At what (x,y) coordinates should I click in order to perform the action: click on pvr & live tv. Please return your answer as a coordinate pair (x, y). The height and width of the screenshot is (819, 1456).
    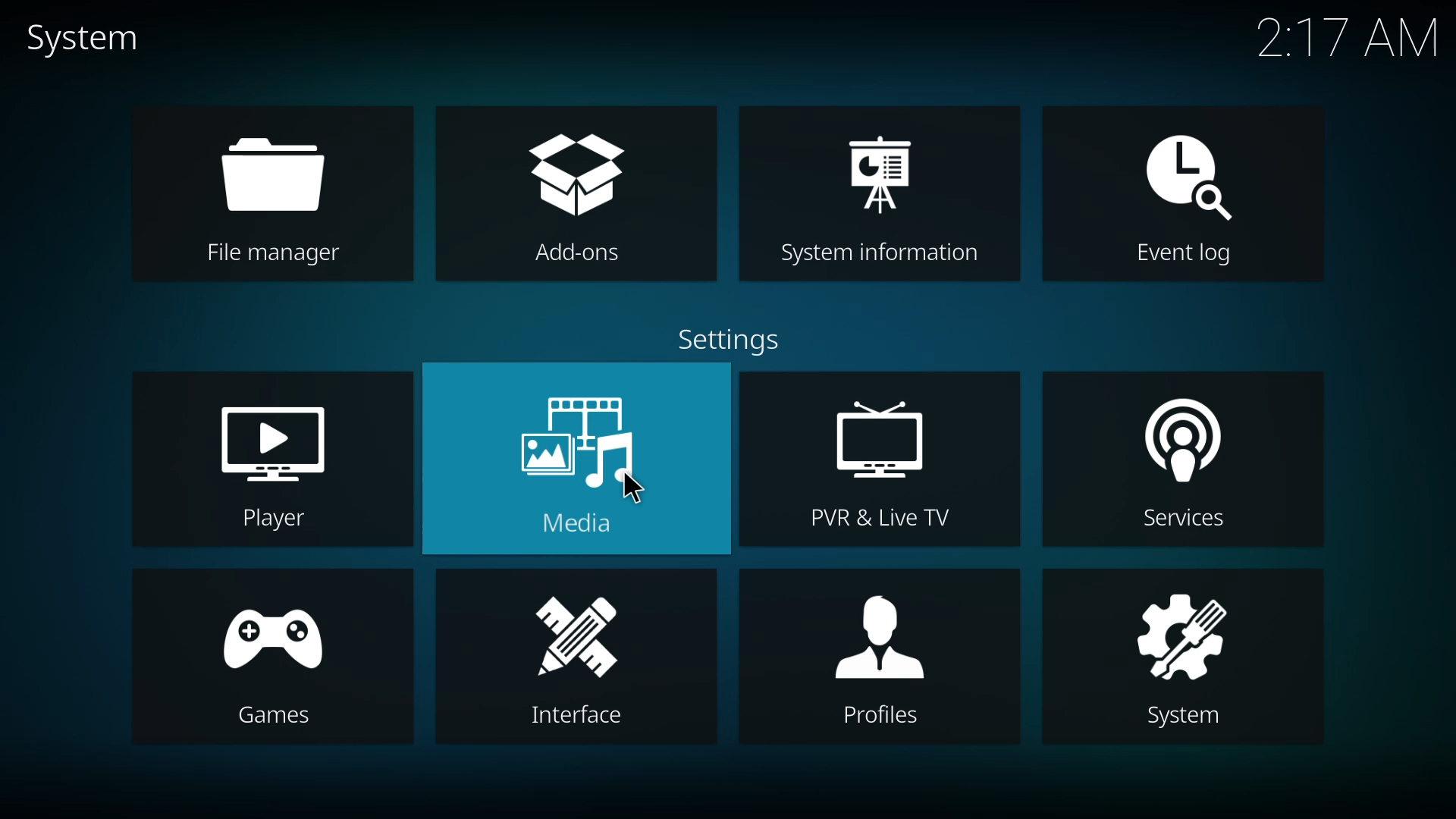
    Looking at the image, I should click on (872, 460).